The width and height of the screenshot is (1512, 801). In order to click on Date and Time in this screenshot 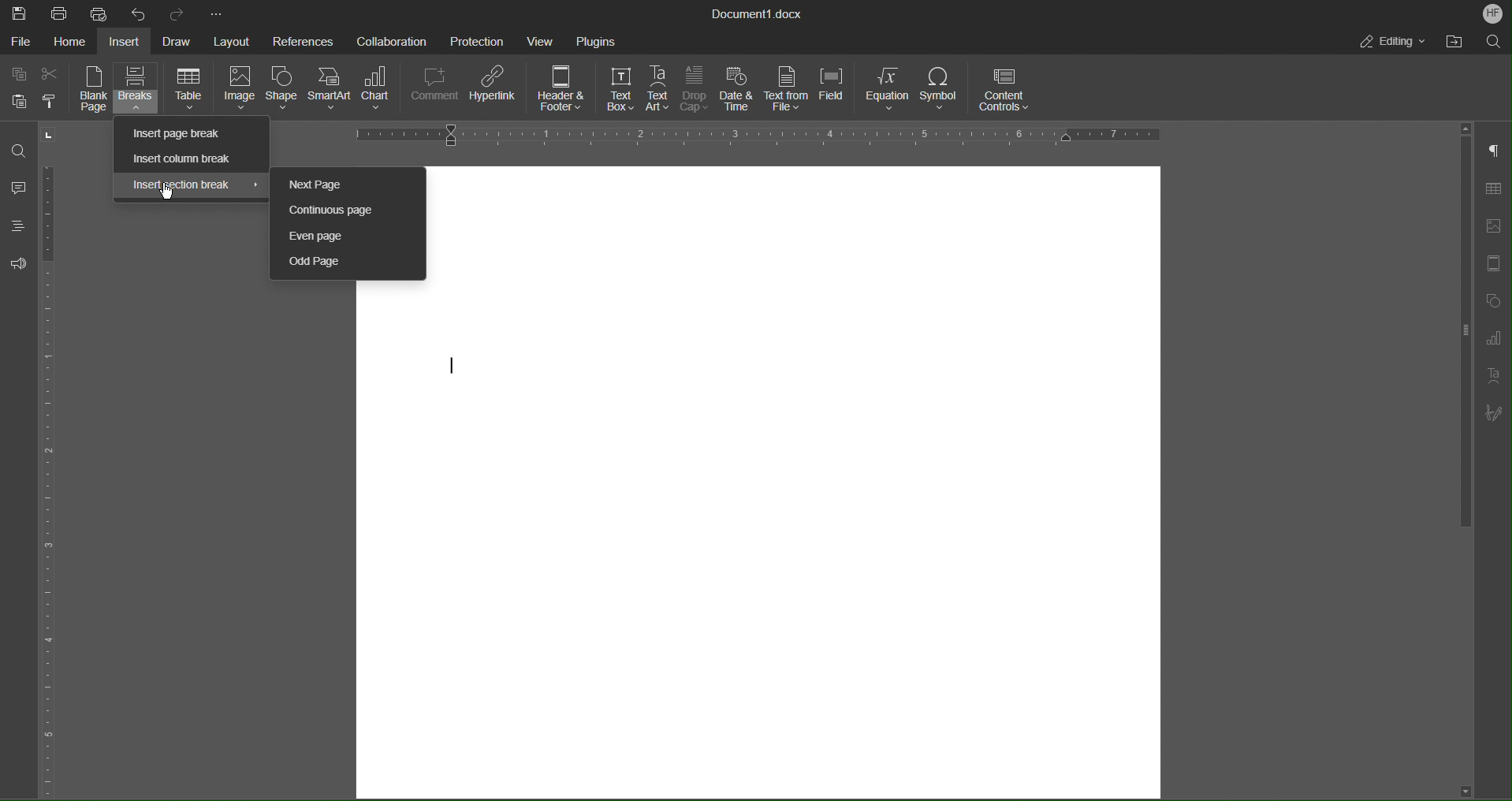, I will do `click(738, 89)`.